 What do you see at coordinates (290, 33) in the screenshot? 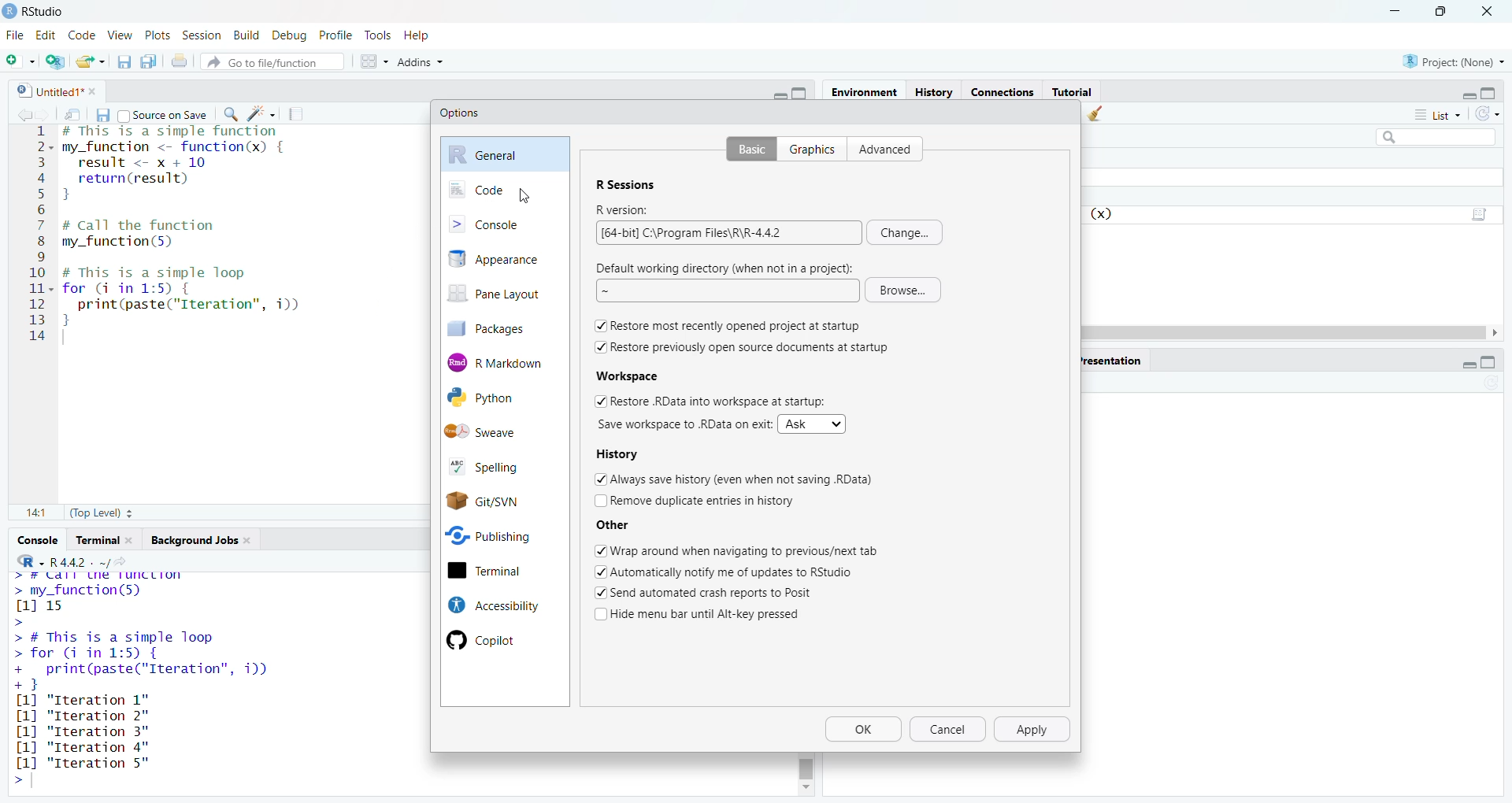
I see `debug` at bounding box center [290, 33].